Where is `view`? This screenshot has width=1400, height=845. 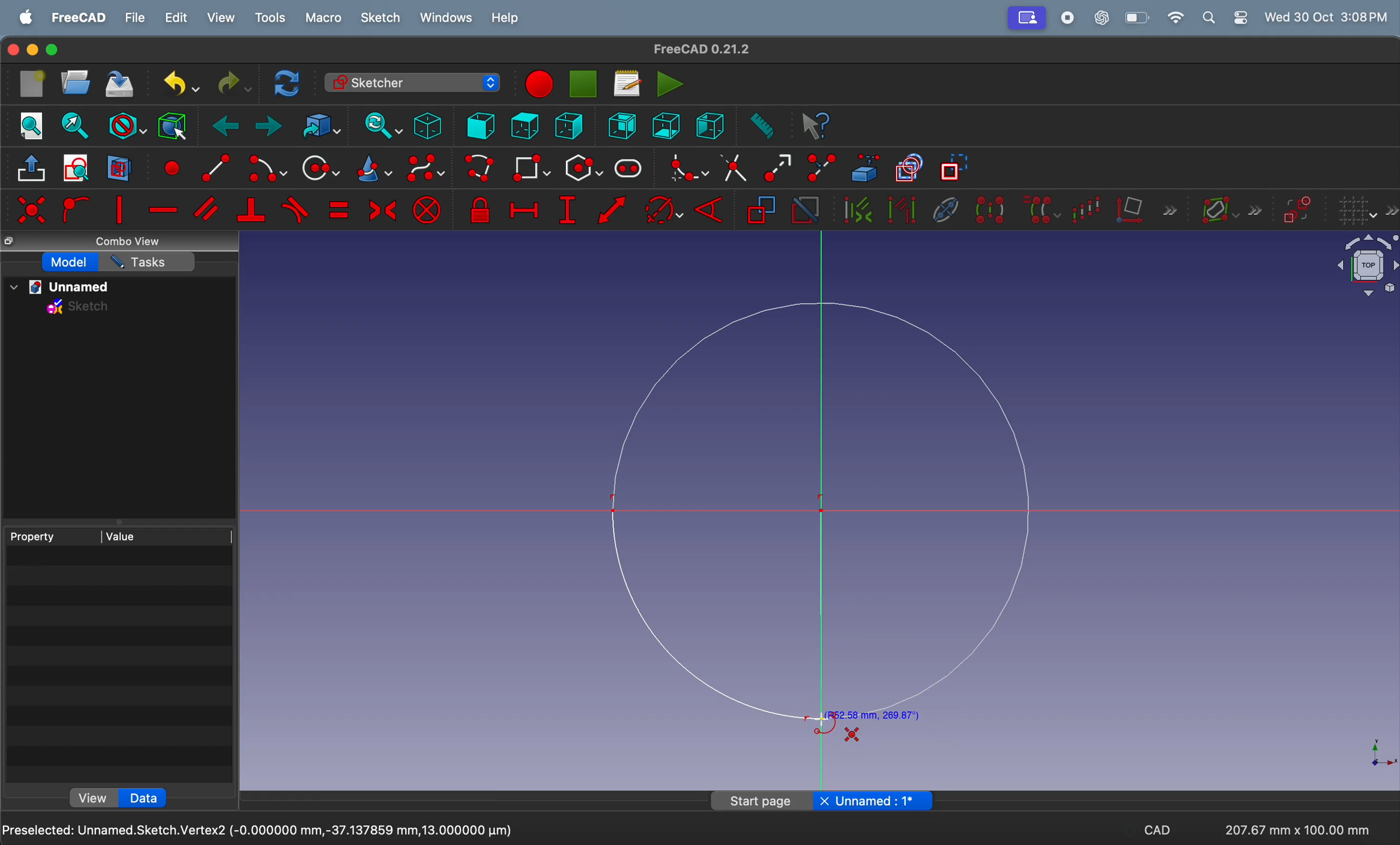
view is located at coordinates (93, 797).